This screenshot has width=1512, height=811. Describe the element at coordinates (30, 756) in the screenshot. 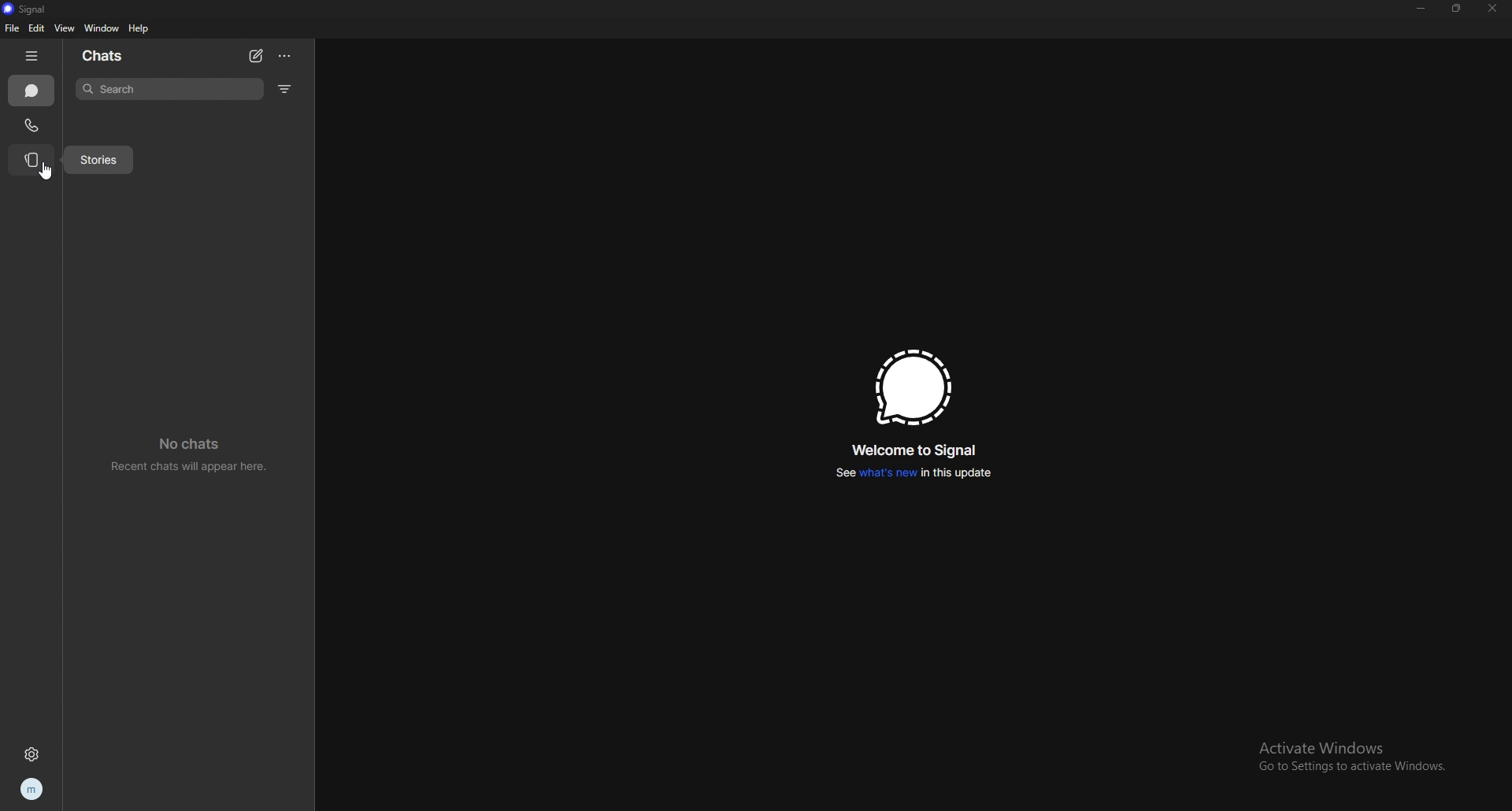

I see `settings` at that location.